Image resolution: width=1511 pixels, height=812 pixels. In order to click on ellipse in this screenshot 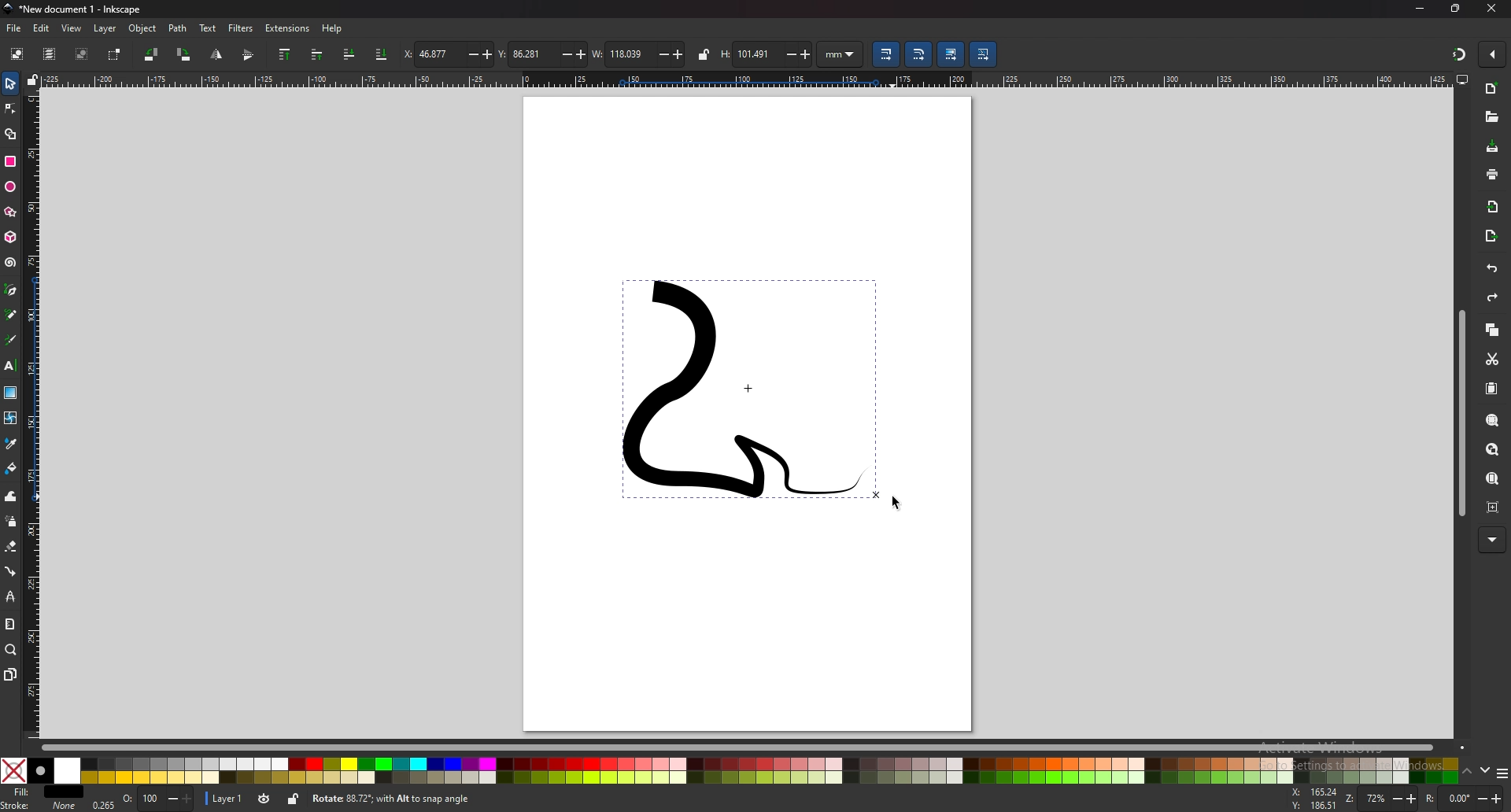, I will do `click(10, 187)`.